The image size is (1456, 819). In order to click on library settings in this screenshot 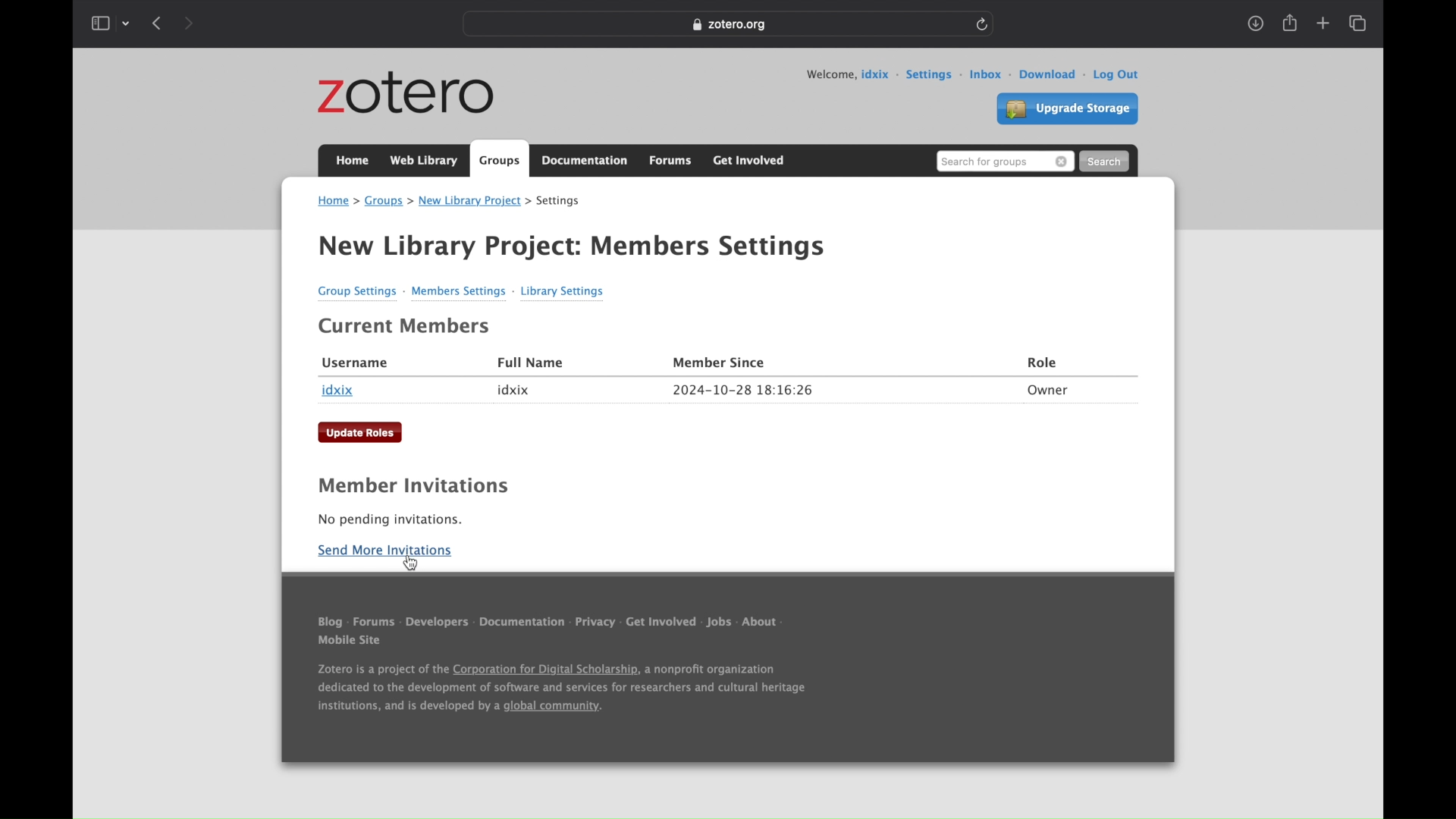, I will do `click(563, 290)`.